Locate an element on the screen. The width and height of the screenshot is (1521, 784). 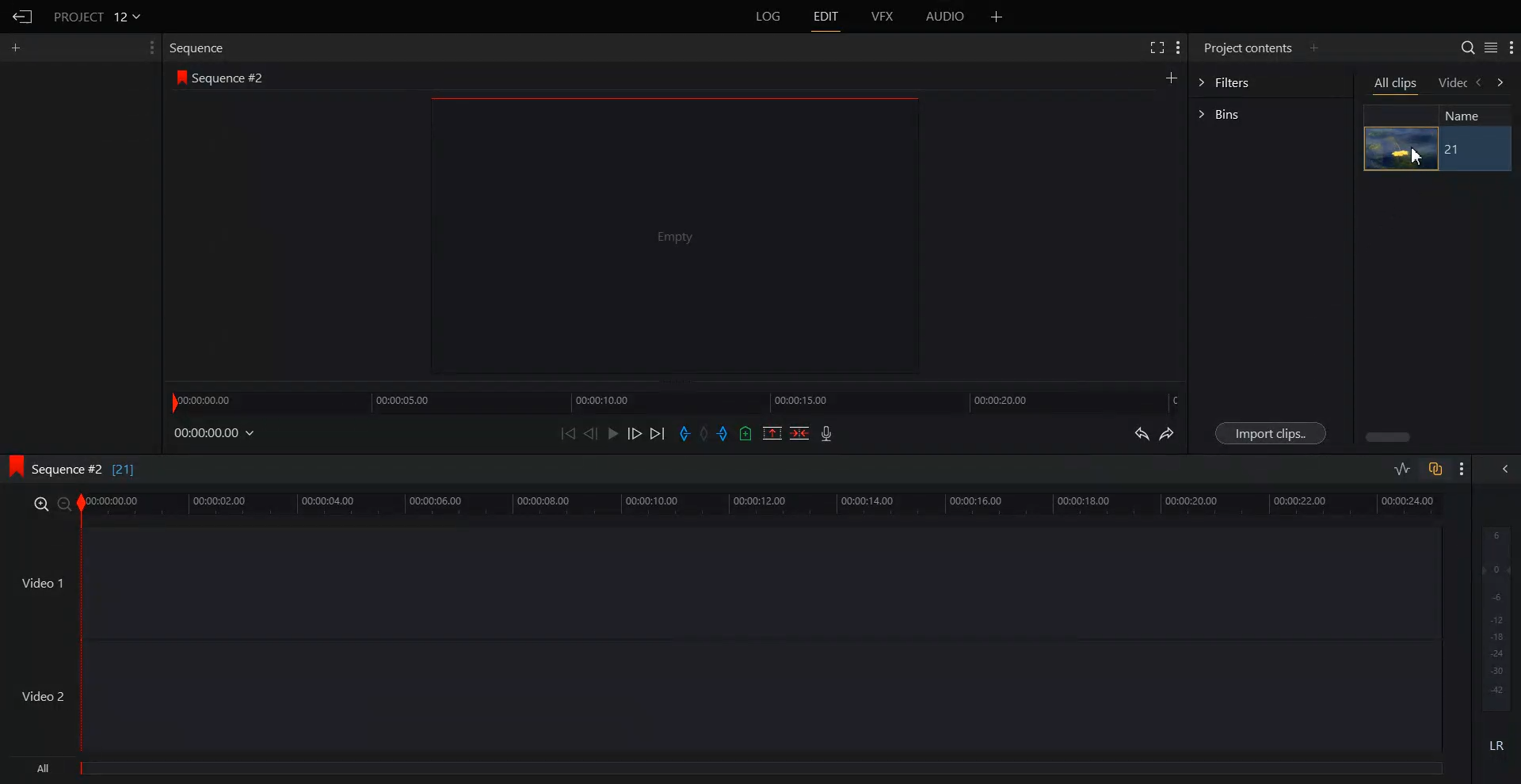
Video 1 is located at coordinates (41, 582).